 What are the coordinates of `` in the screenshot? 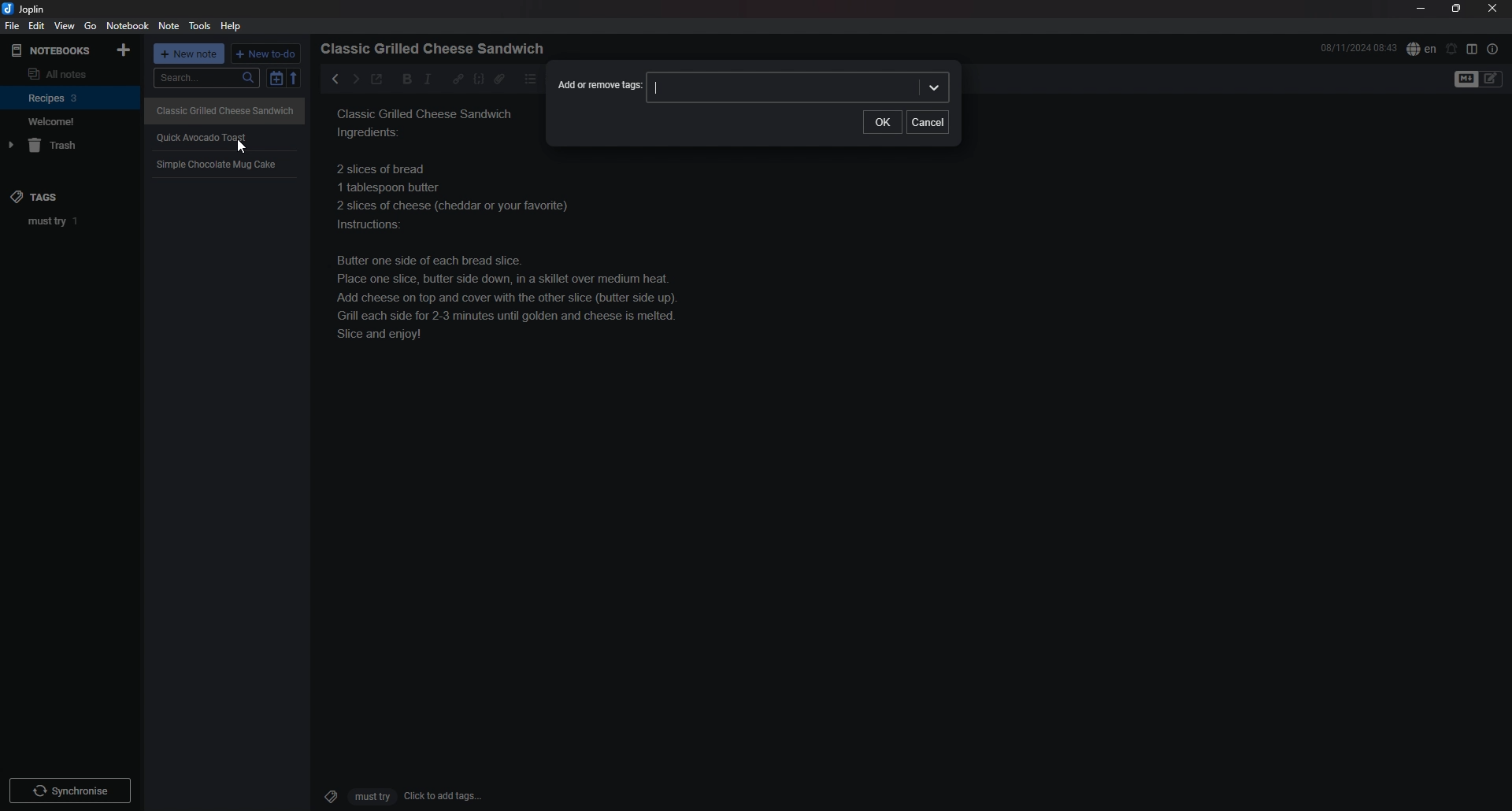 It's located at (70, 787).